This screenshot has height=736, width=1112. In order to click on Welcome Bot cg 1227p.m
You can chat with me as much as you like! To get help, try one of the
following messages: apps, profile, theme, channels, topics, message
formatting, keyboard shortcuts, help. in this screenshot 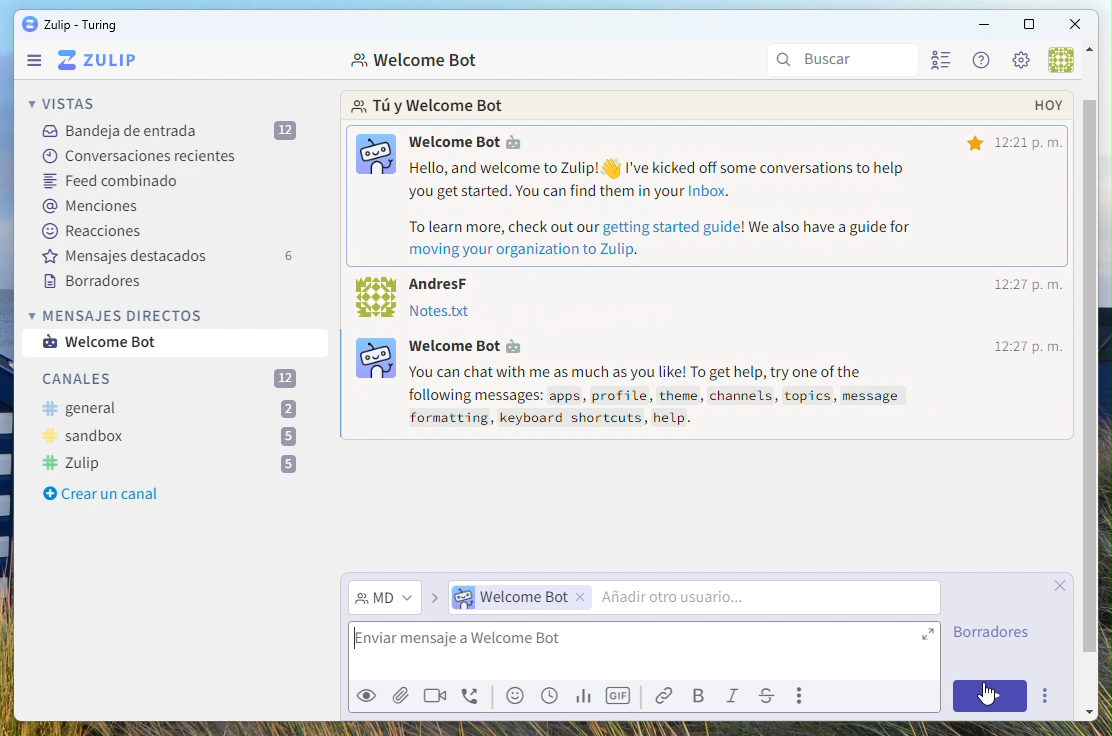, I will do `click(712, 384)`.